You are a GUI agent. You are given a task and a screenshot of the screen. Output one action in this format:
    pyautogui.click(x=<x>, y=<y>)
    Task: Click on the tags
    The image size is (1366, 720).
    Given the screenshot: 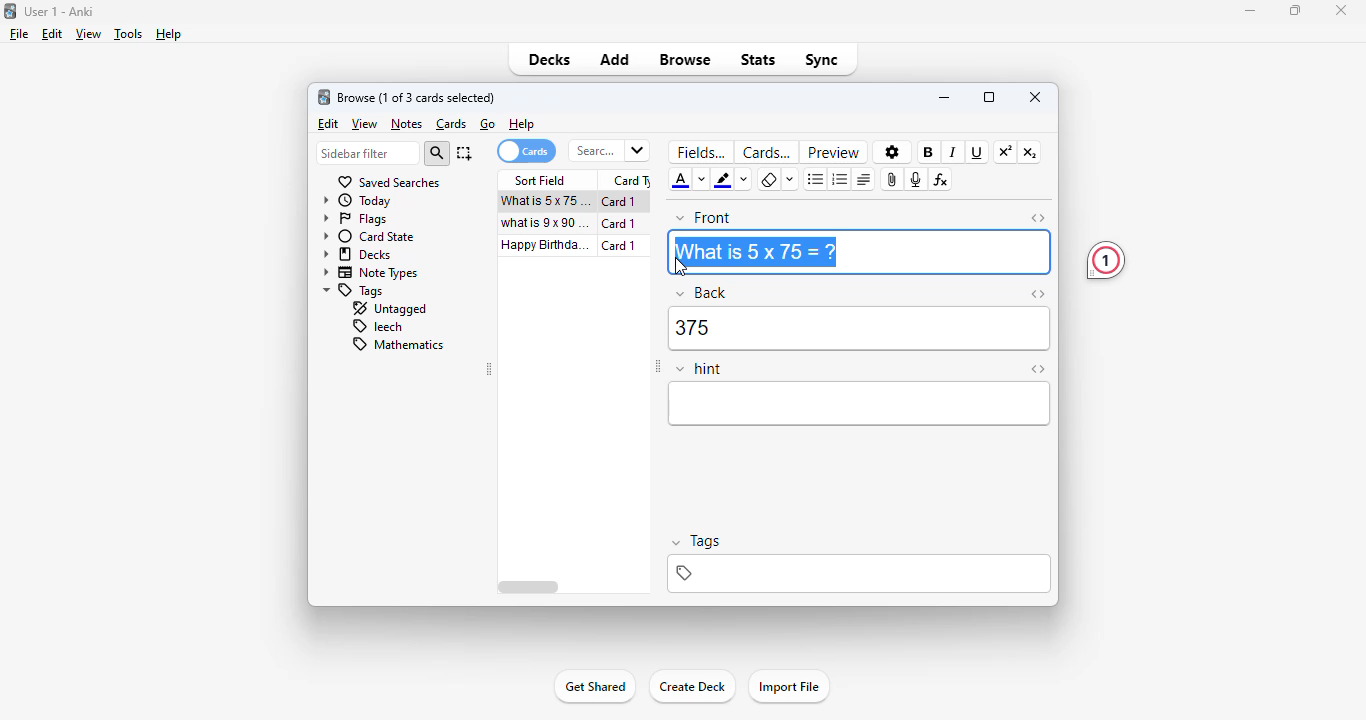 What is the action you would take?
    pyautogui.click(x=354, y=292)
    